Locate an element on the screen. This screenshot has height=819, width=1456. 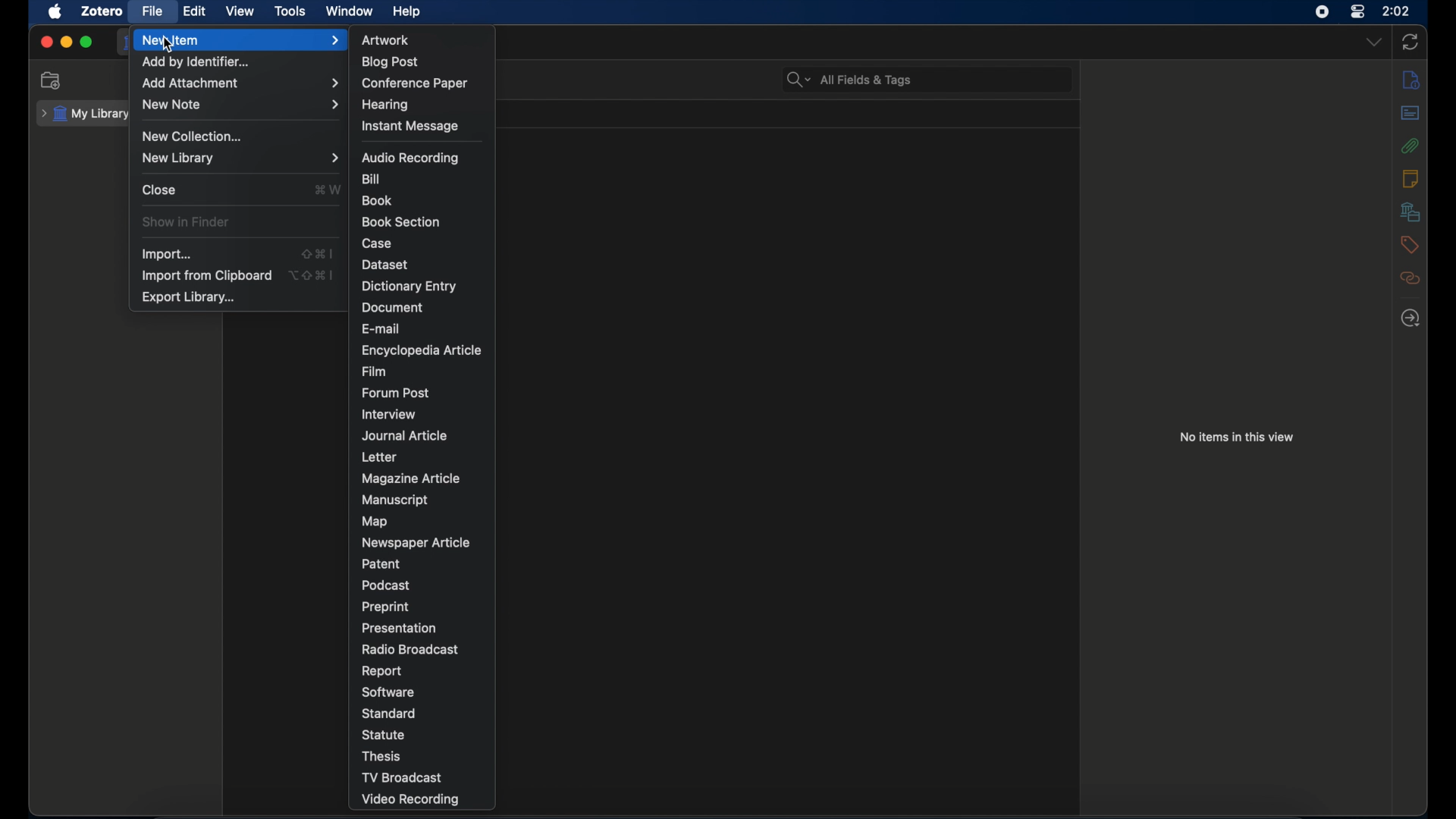
close is located at coordinates (158, 190).